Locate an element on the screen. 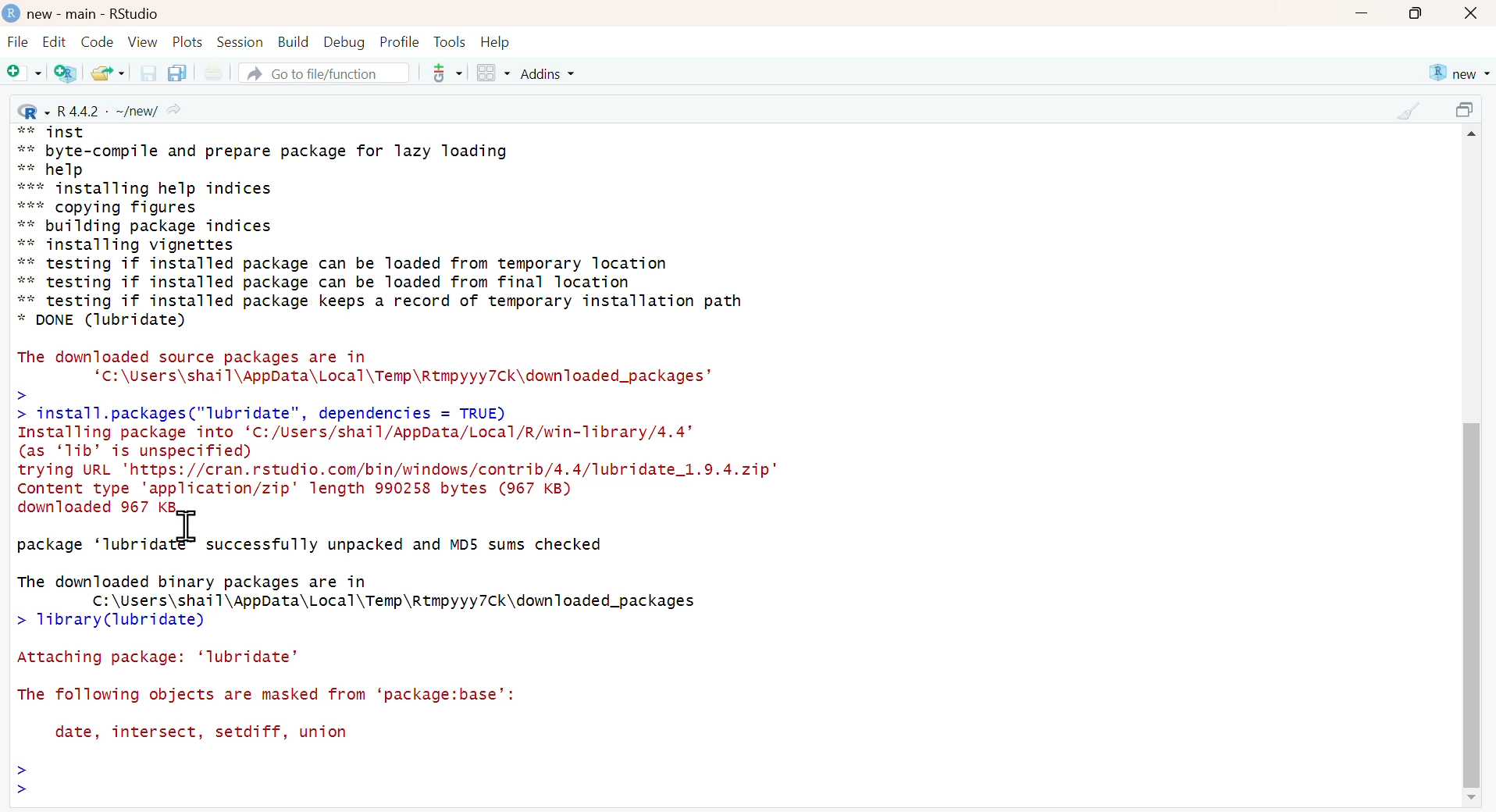 This screenshot has width=1496, height=812. cursor is located at coordinates (189, 527).